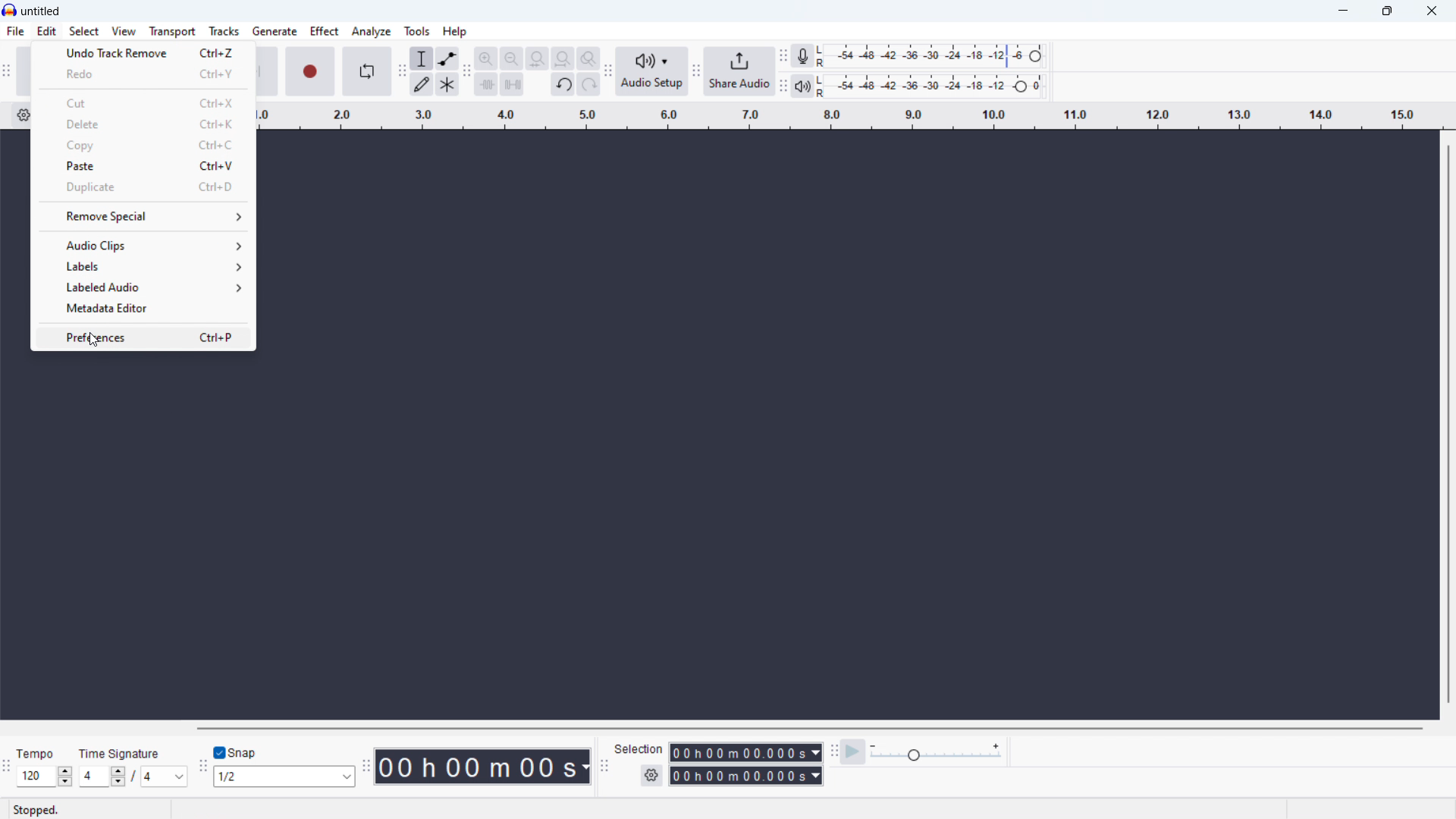  I want to click on undo, so click(563, 85).